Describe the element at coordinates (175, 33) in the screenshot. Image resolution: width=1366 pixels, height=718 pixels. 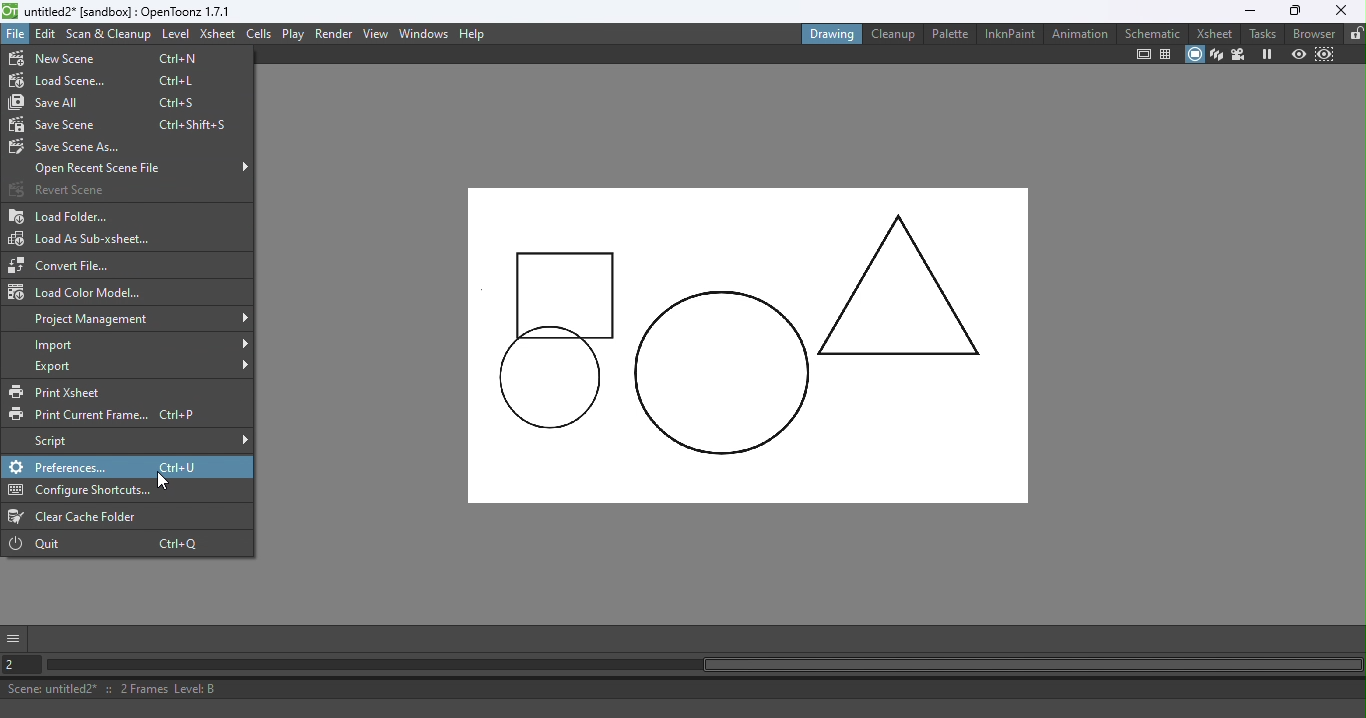
I see `Level` at that location.